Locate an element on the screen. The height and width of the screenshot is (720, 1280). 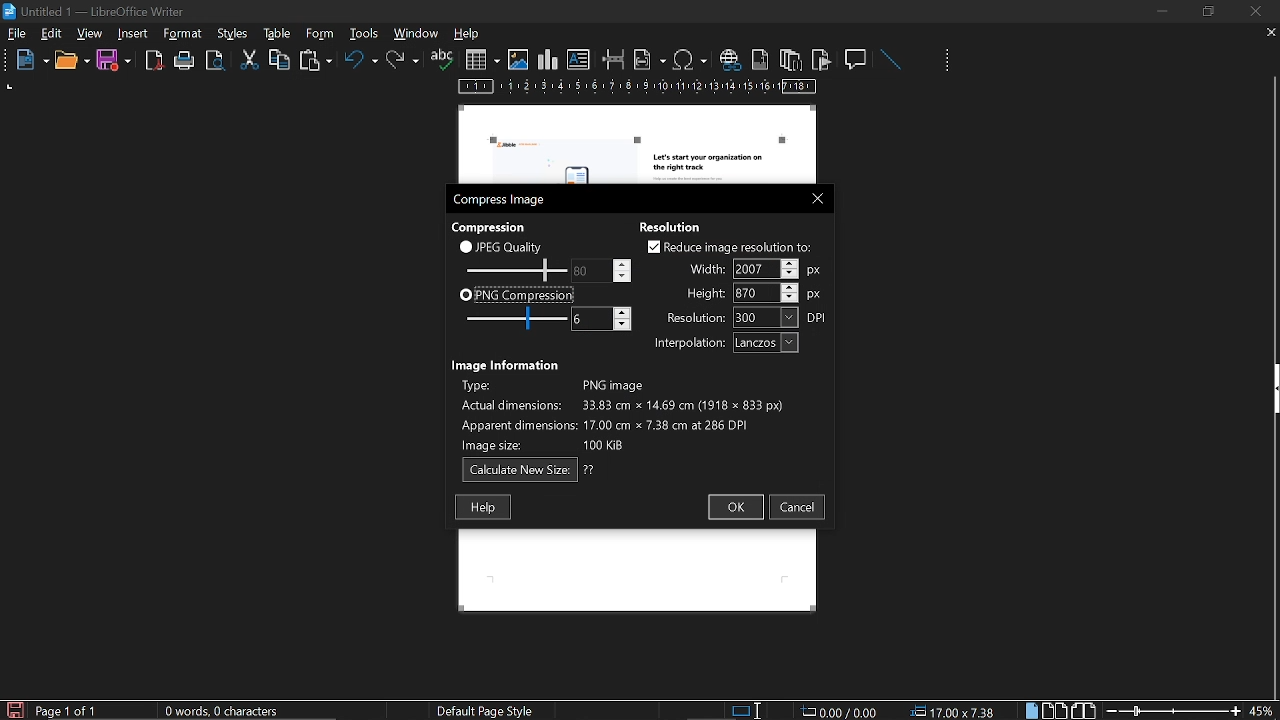
insert hyperlink is located at coordinates (729, 61).